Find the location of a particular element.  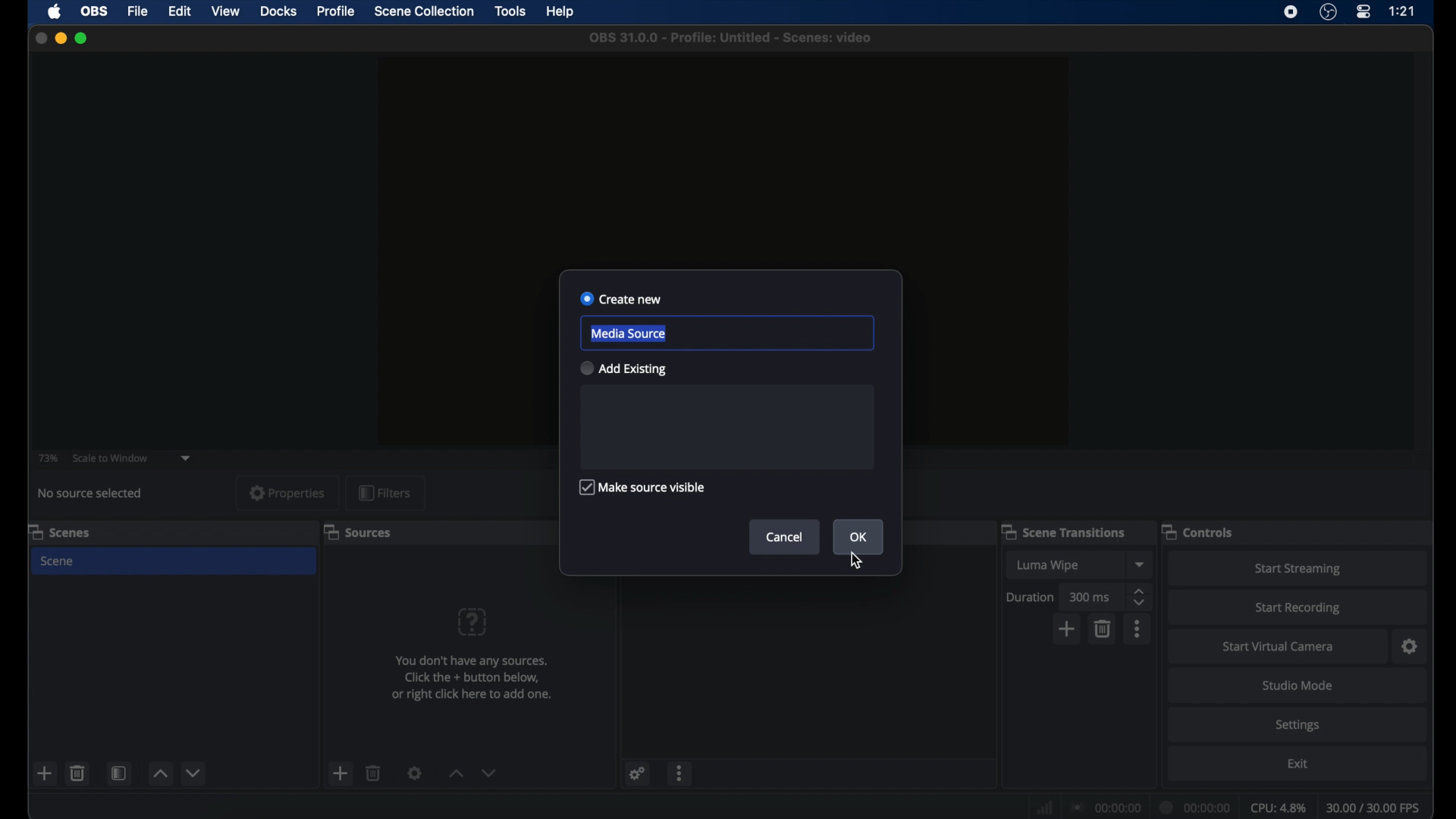

stepper buttons is located at coordinates (1141, 598).